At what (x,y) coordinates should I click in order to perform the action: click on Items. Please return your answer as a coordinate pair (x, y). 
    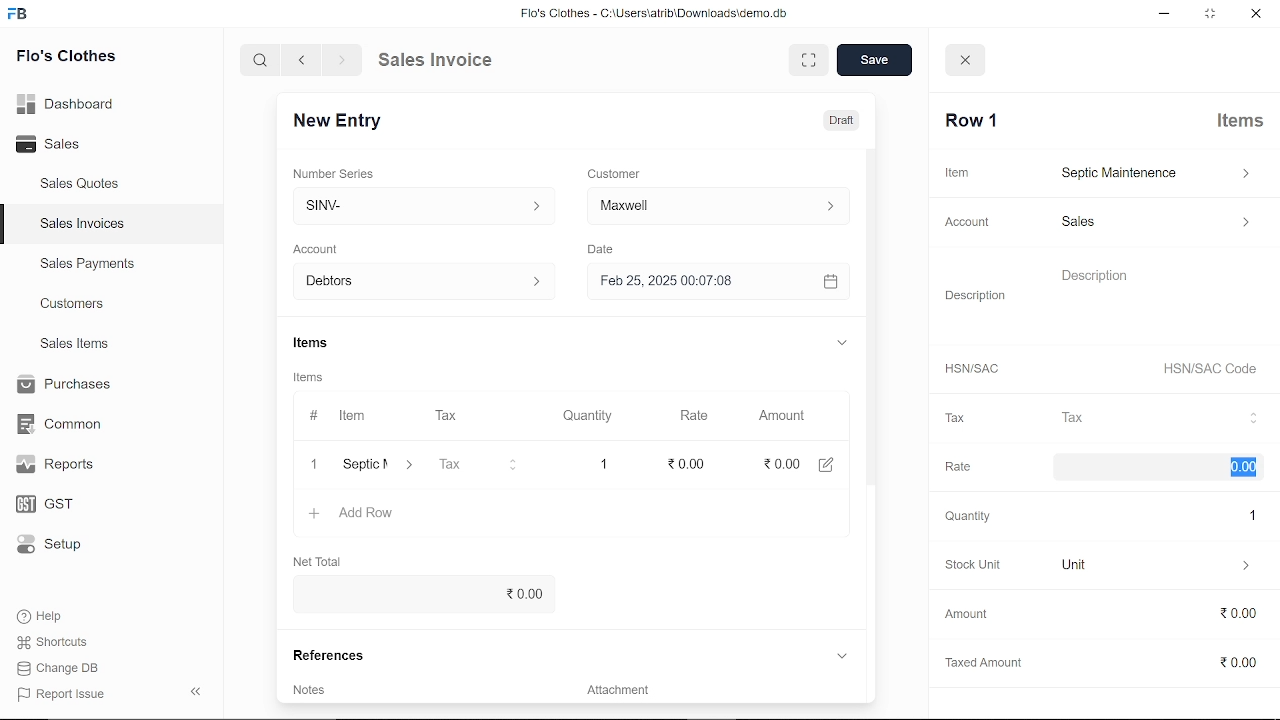
    Looking at the image, I should click on (1242, 123).